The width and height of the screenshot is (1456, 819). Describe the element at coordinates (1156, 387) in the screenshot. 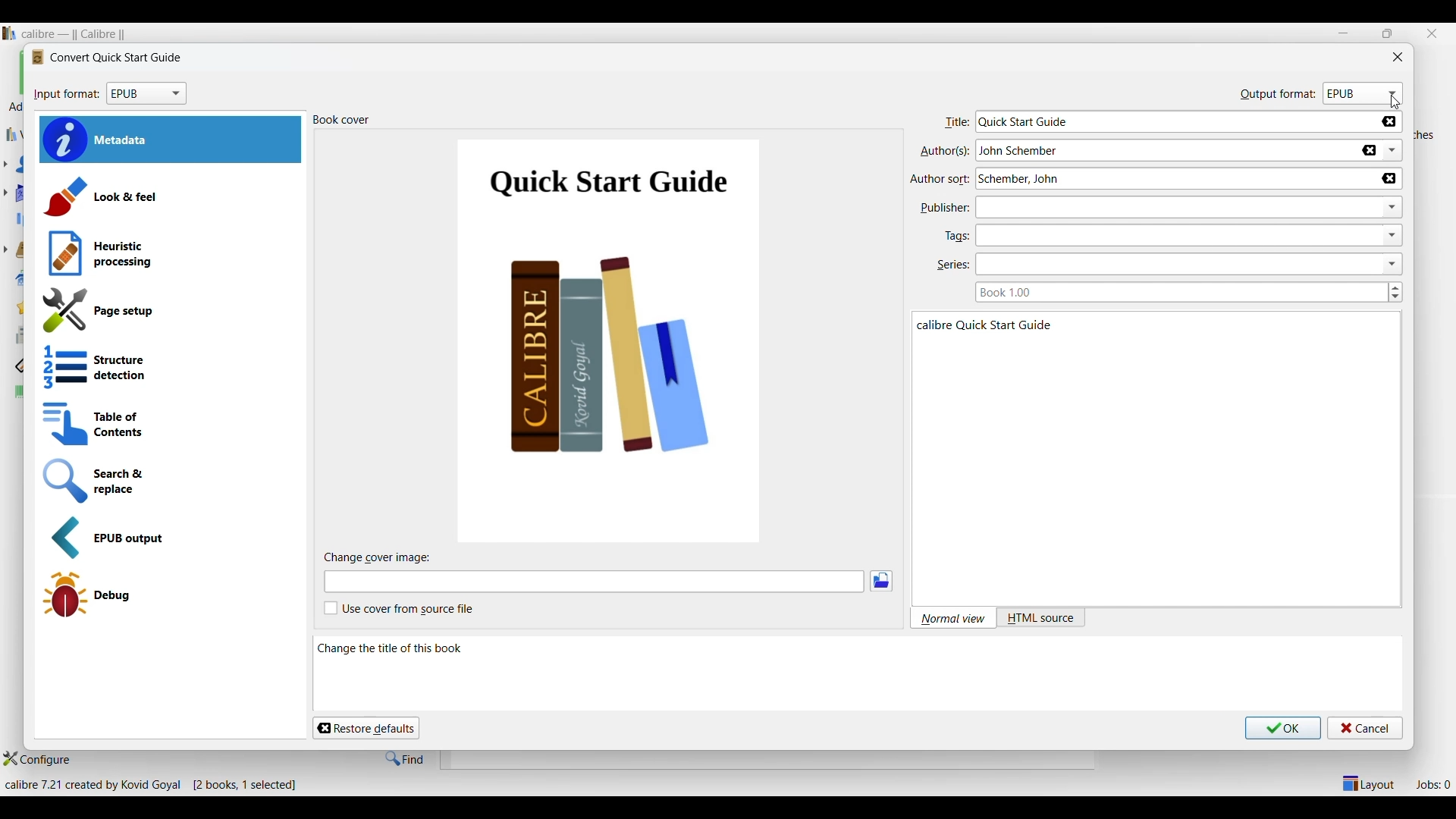

I see `Details of selected book` at that location.